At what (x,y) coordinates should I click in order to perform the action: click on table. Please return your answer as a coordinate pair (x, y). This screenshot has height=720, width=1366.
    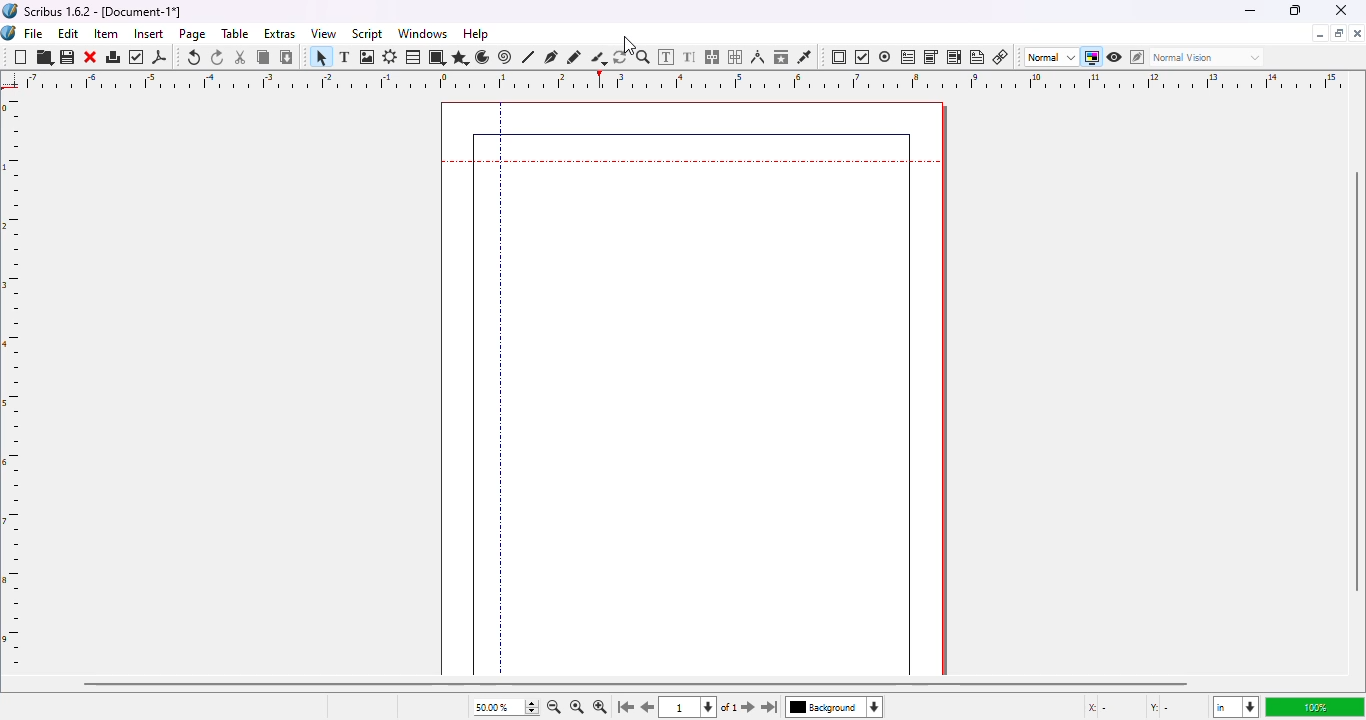
    Looking at the image, I should click on (414, 57).